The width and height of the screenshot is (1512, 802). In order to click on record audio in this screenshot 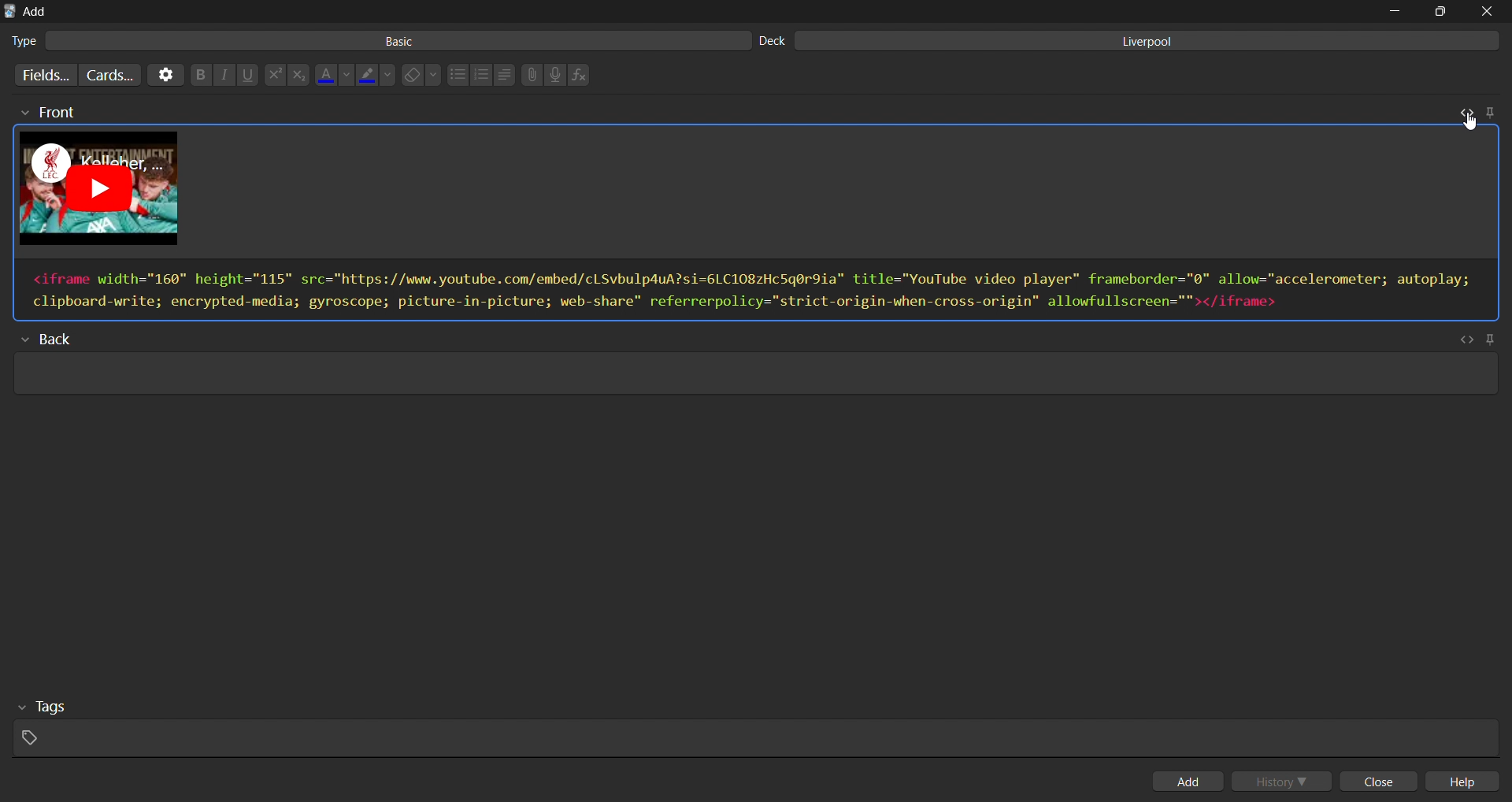, I will do `click(559, 76)`.